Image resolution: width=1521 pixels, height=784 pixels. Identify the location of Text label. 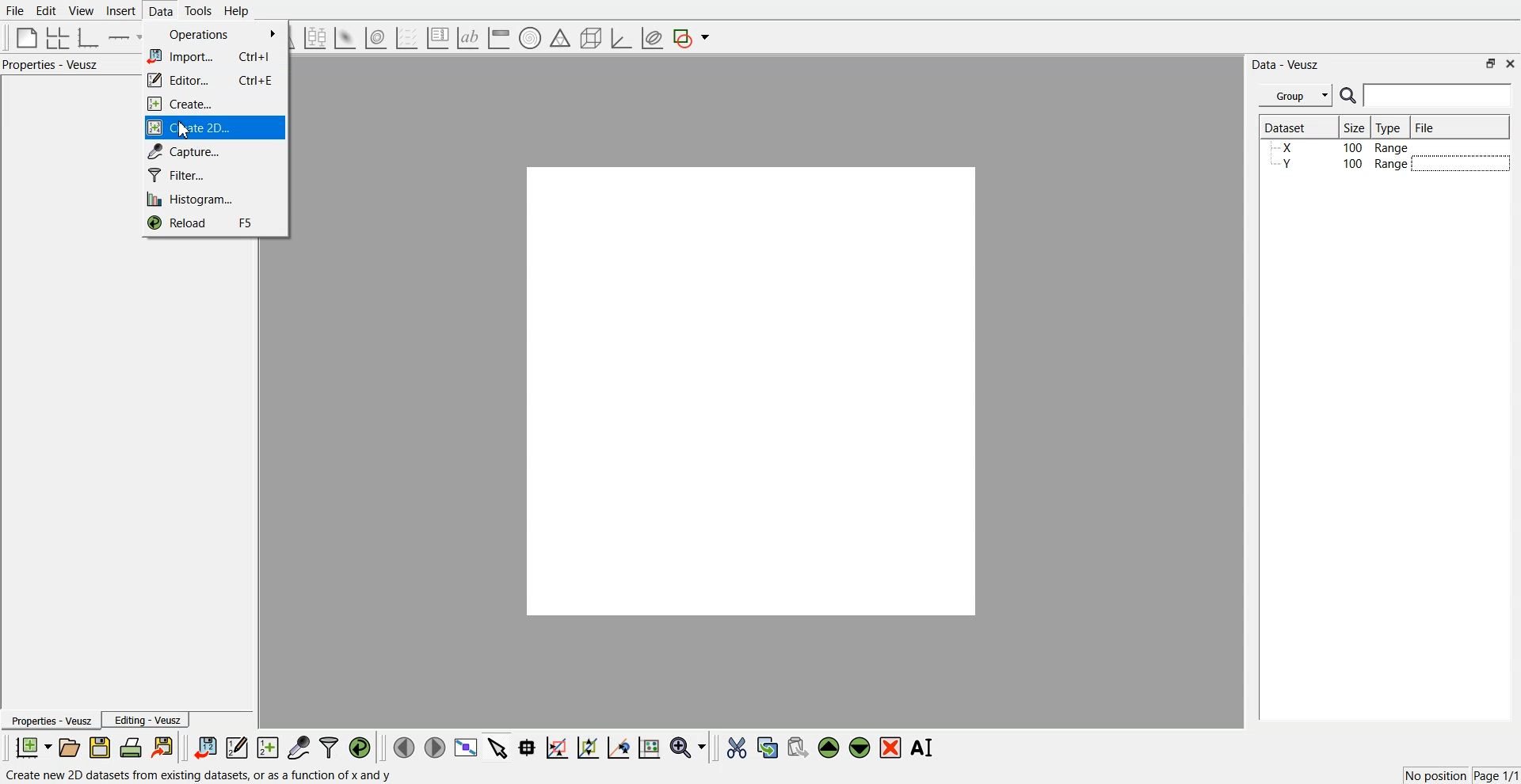
(468, 38).